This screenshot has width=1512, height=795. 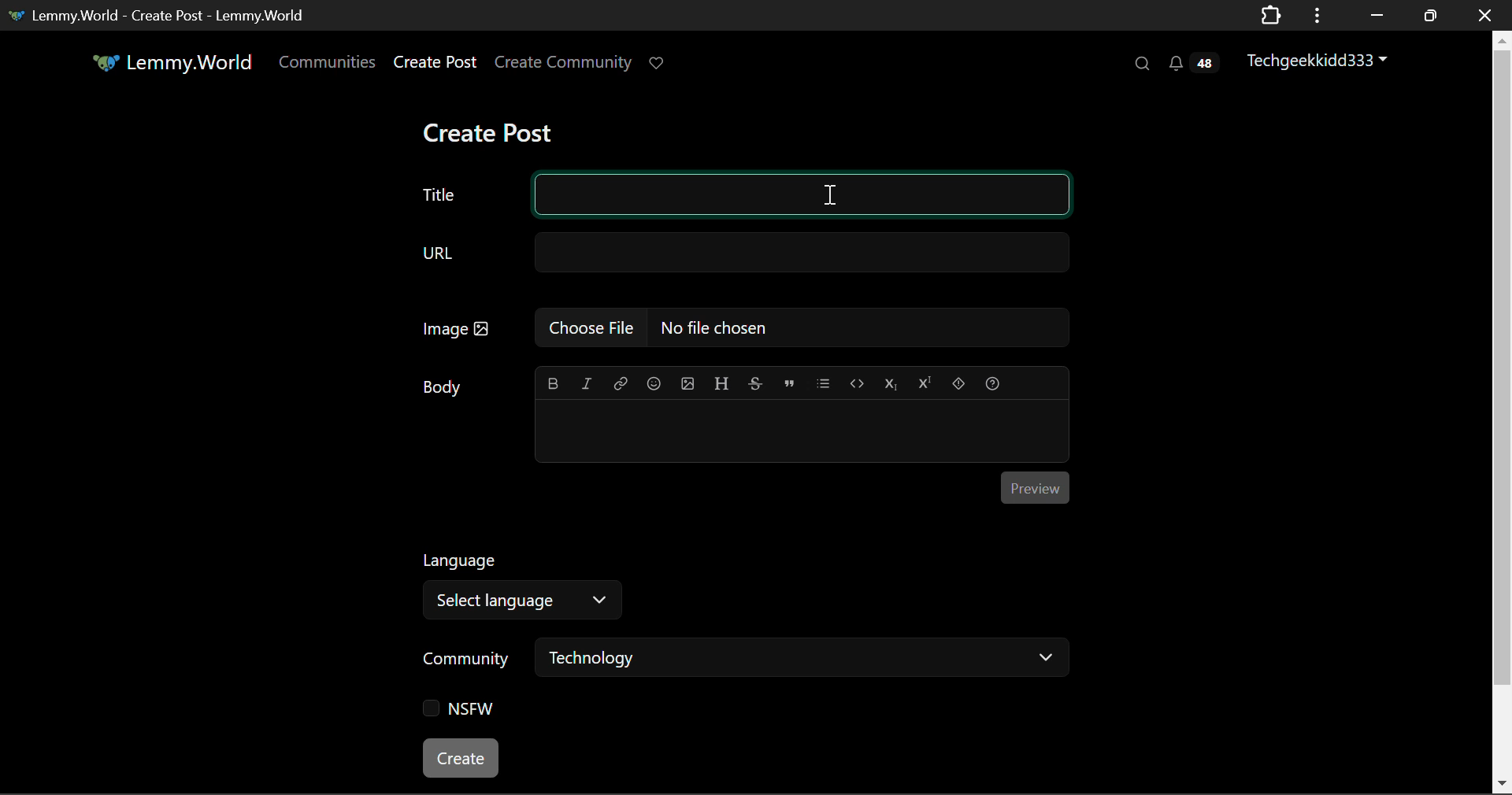 I want to click on list, so click(x=825, y=381).